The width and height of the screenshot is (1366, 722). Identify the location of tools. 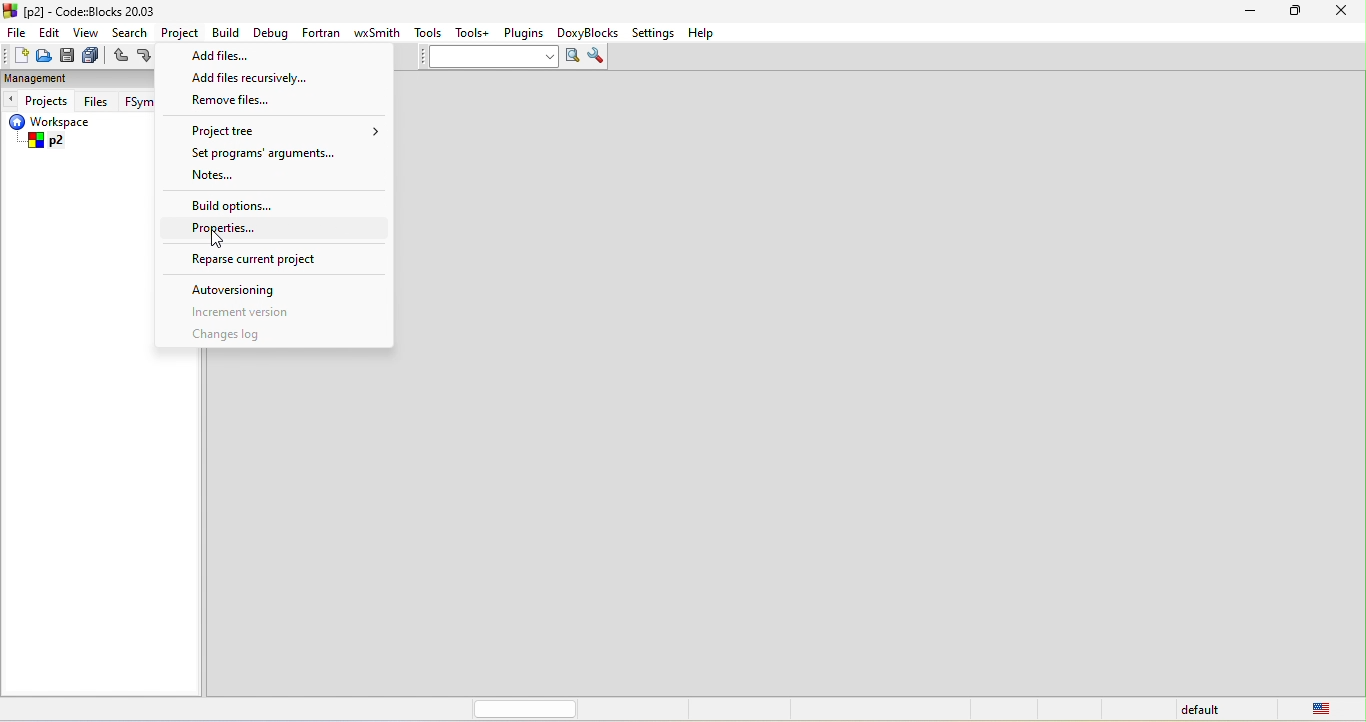
(429, 35).